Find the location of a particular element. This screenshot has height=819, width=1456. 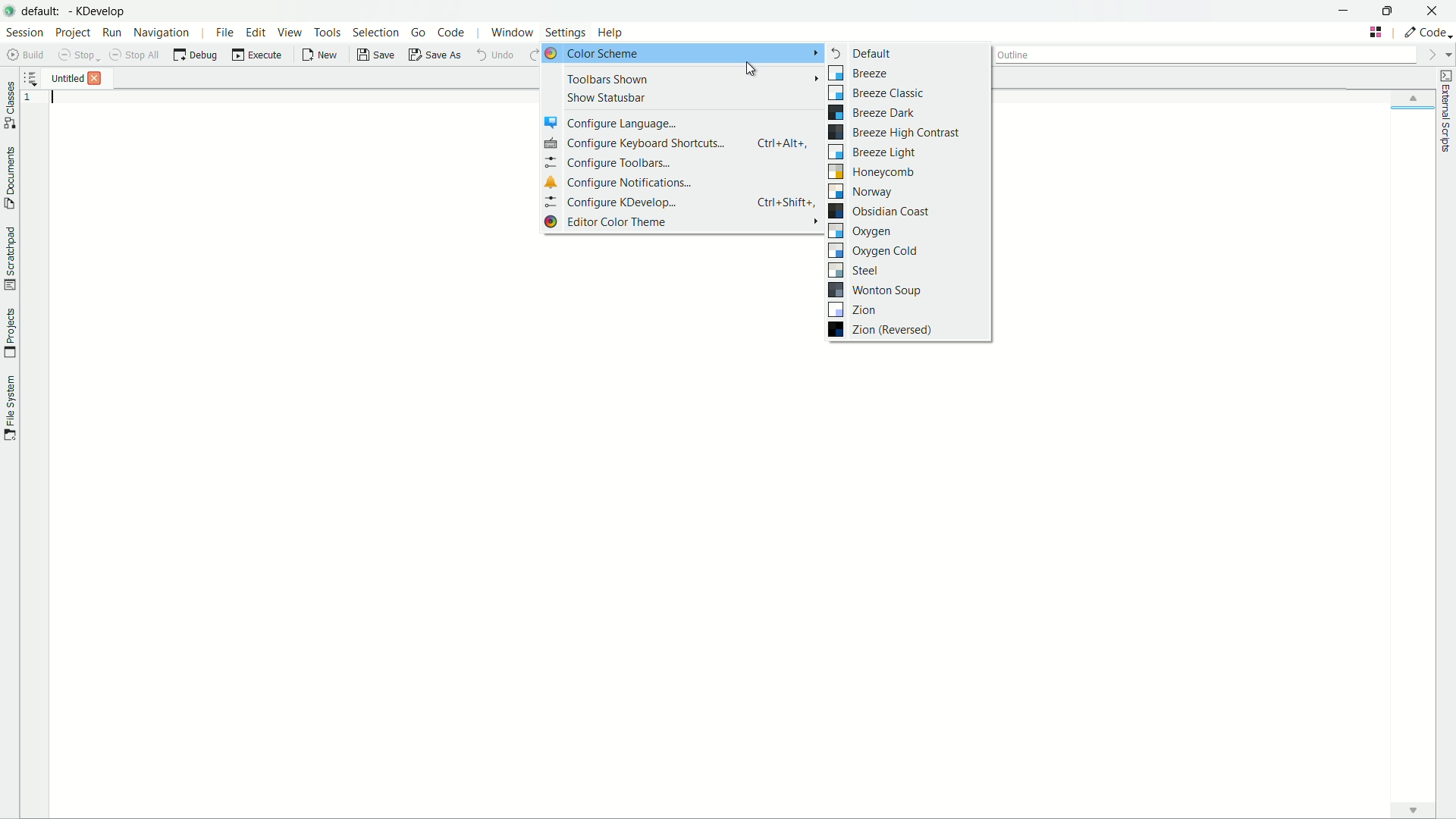

change tab layout is located at coordinates (1376, 32).